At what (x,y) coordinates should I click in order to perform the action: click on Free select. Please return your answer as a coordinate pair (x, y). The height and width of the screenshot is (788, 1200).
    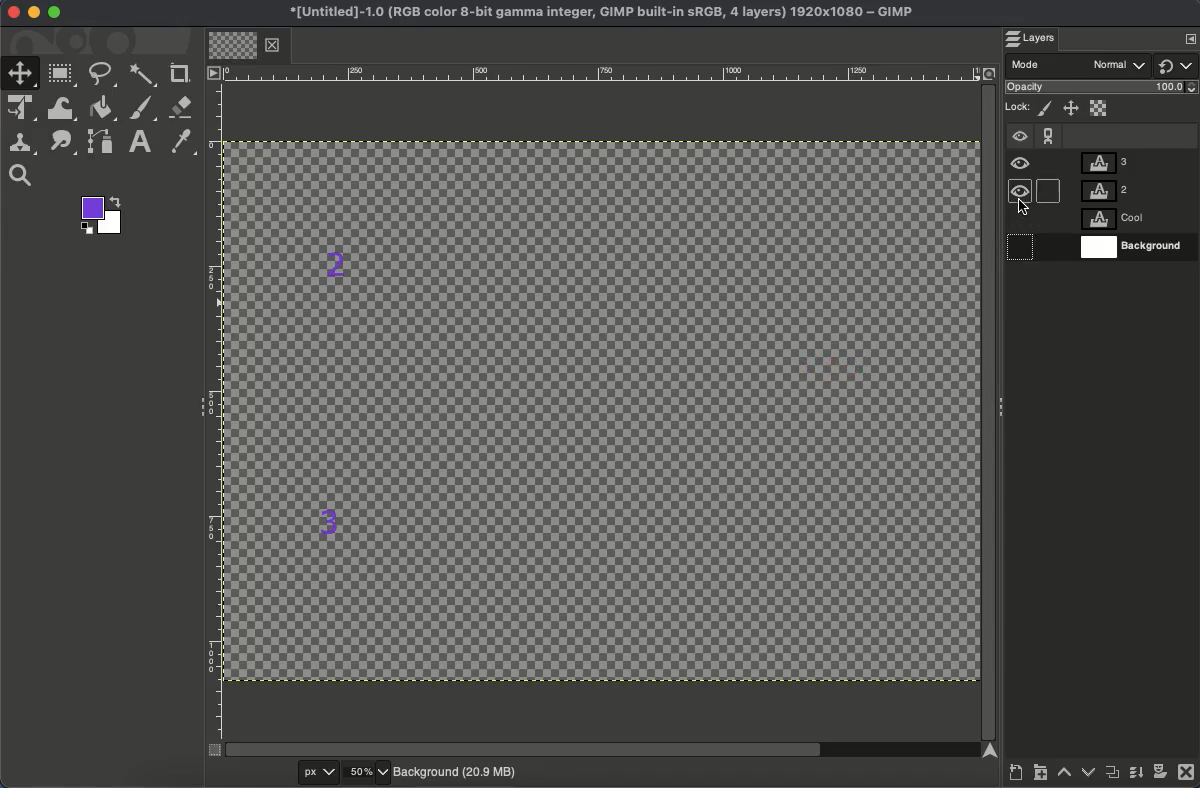
    Looking at the image, I should click on (106, 74).